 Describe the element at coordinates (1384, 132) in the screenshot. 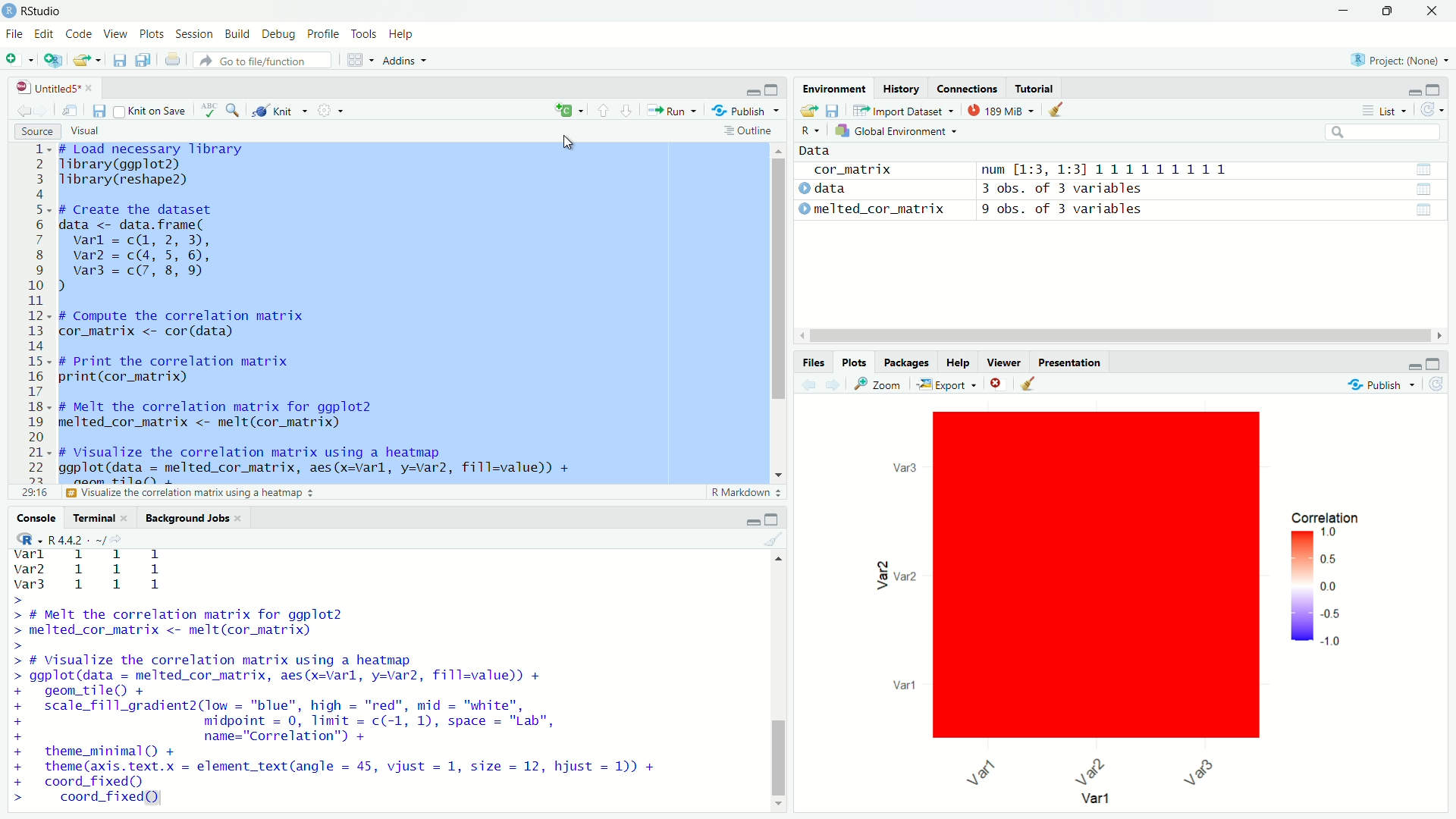

I see `search` at that location.